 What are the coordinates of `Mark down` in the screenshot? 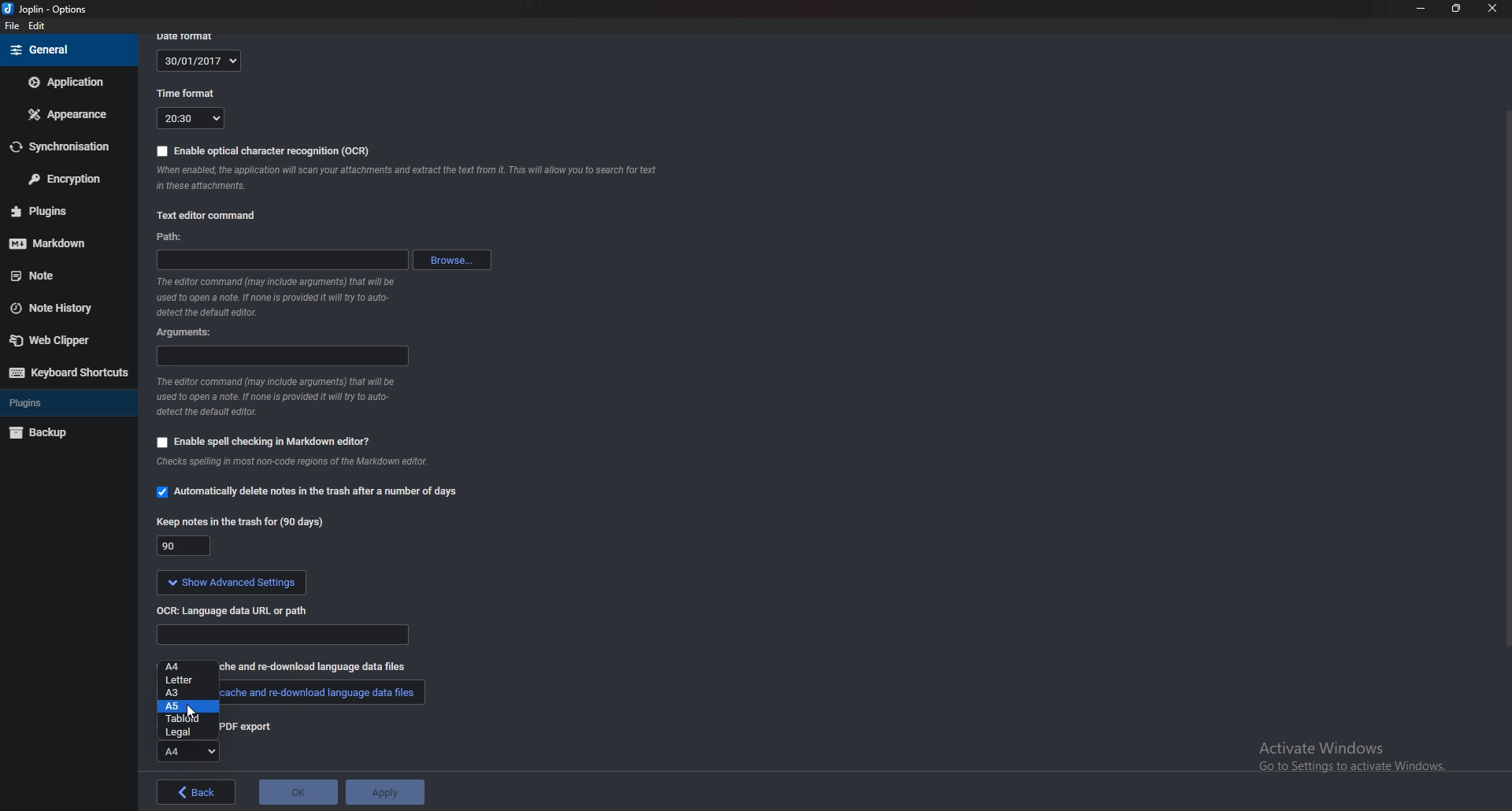 It's located at (59, 243).